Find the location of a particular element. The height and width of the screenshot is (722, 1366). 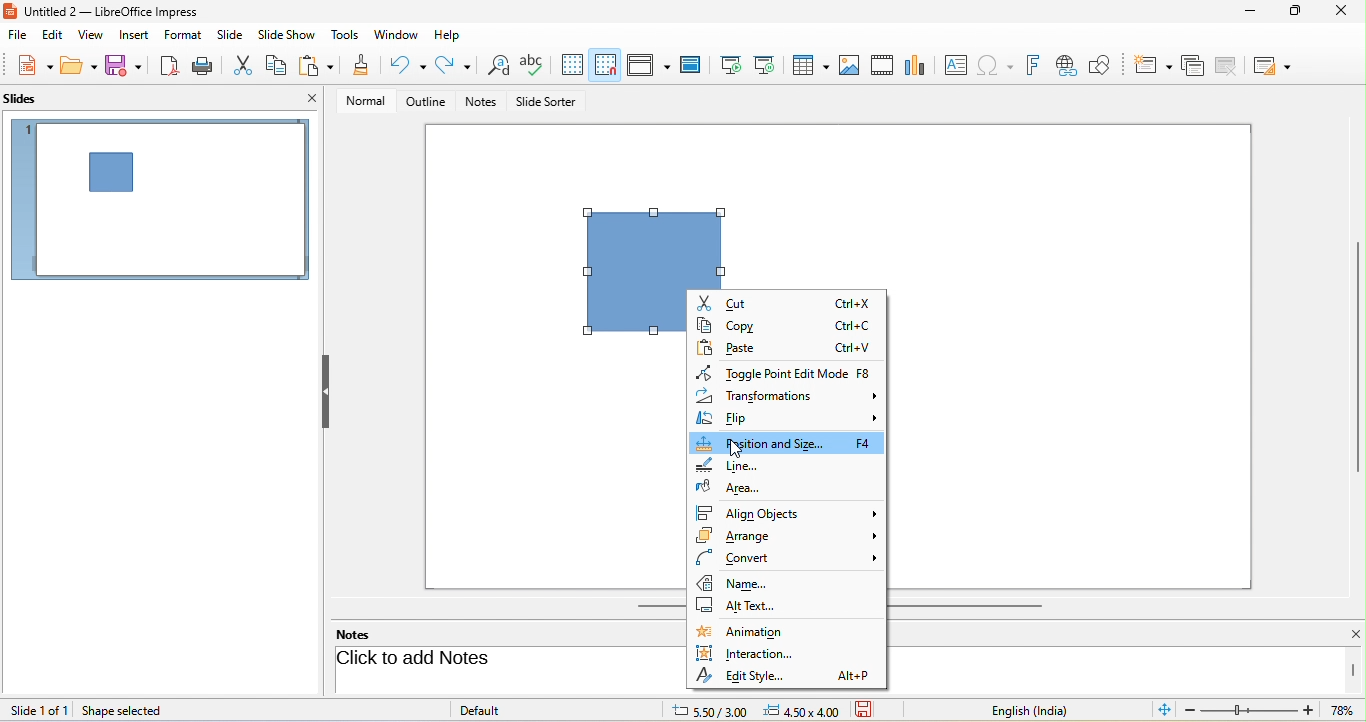

flip is located at coordinates (791, 417).